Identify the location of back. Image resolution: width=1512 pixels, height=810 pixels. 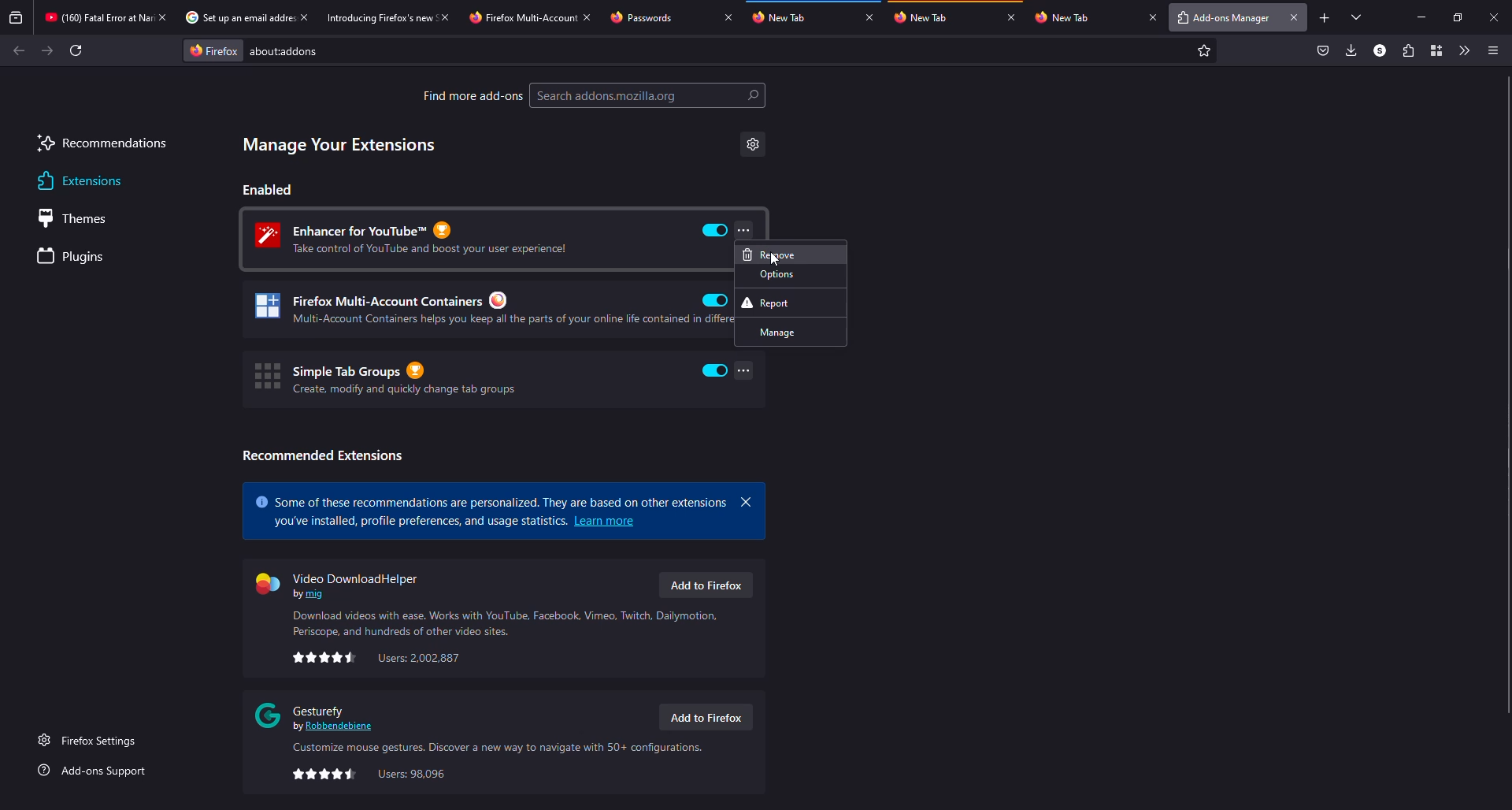
(19, 50).